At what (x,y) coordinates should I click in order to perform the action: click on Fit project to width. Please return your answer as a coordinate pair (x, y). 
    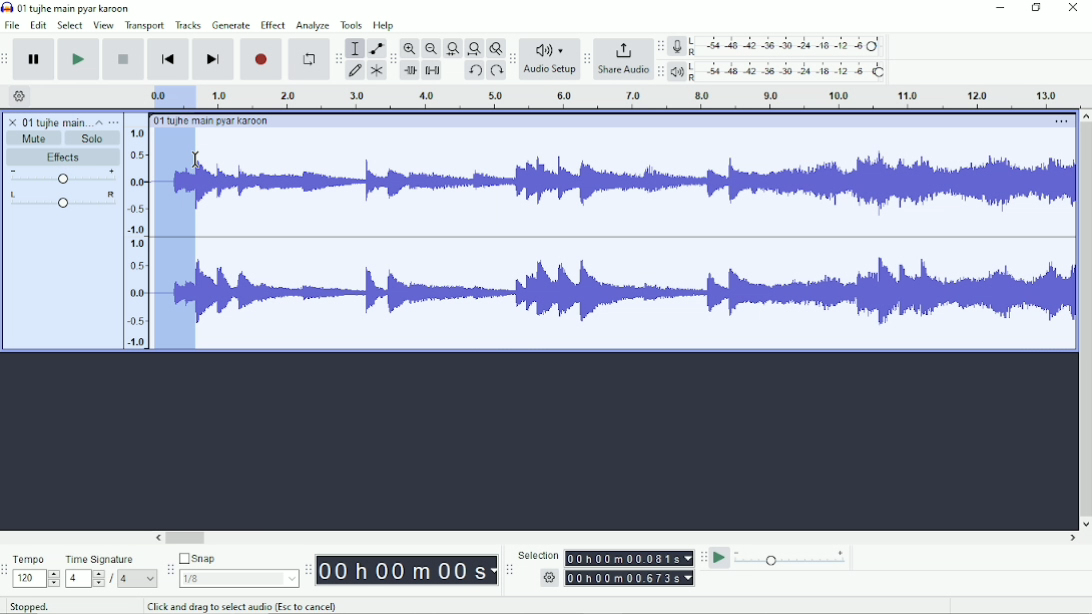
    Looking at the image, I should click on (475, 49).